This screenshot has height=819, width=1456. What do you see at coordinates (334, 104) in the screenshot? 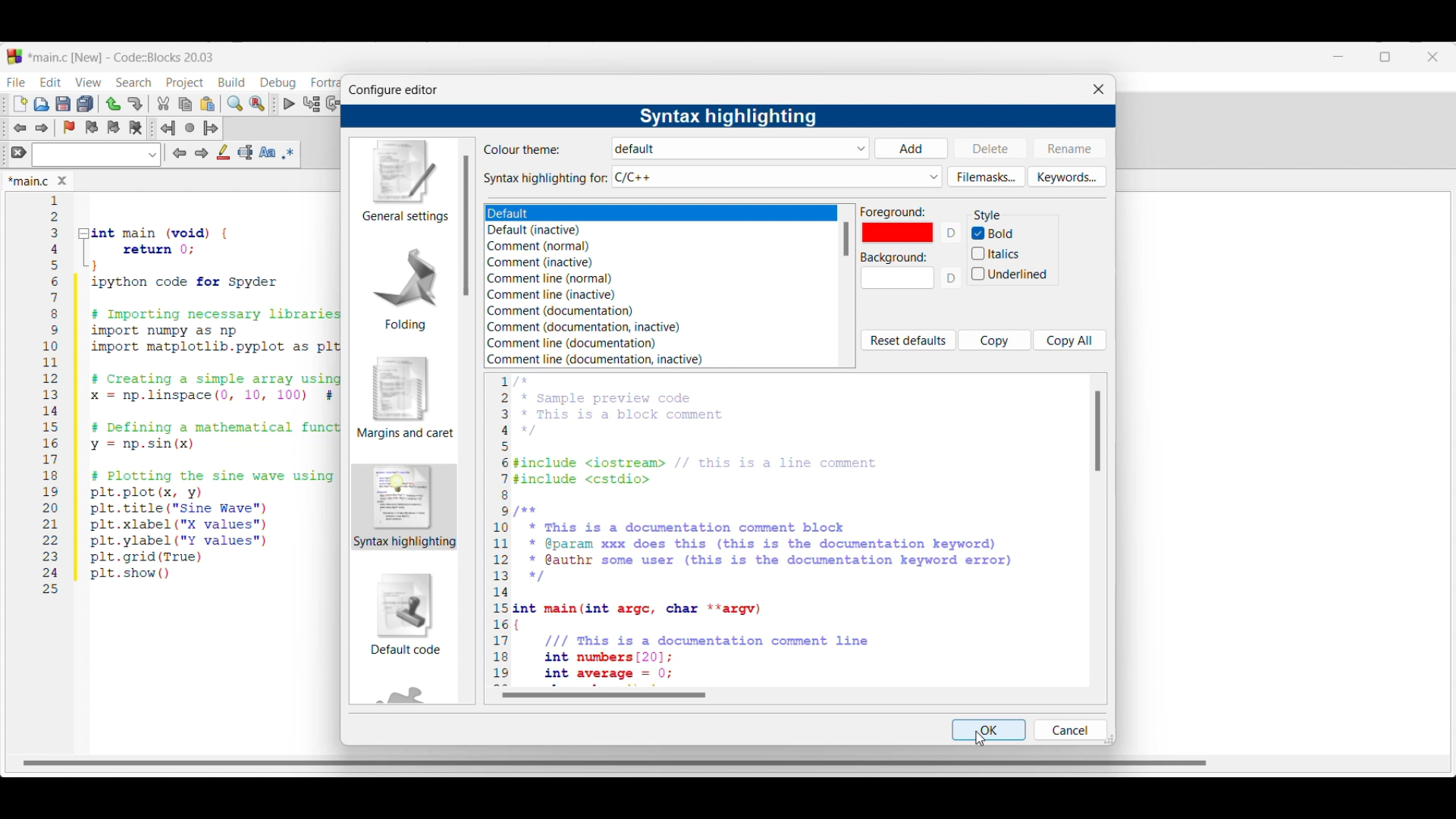
I see `Next line` at bounding box center [334, 104].